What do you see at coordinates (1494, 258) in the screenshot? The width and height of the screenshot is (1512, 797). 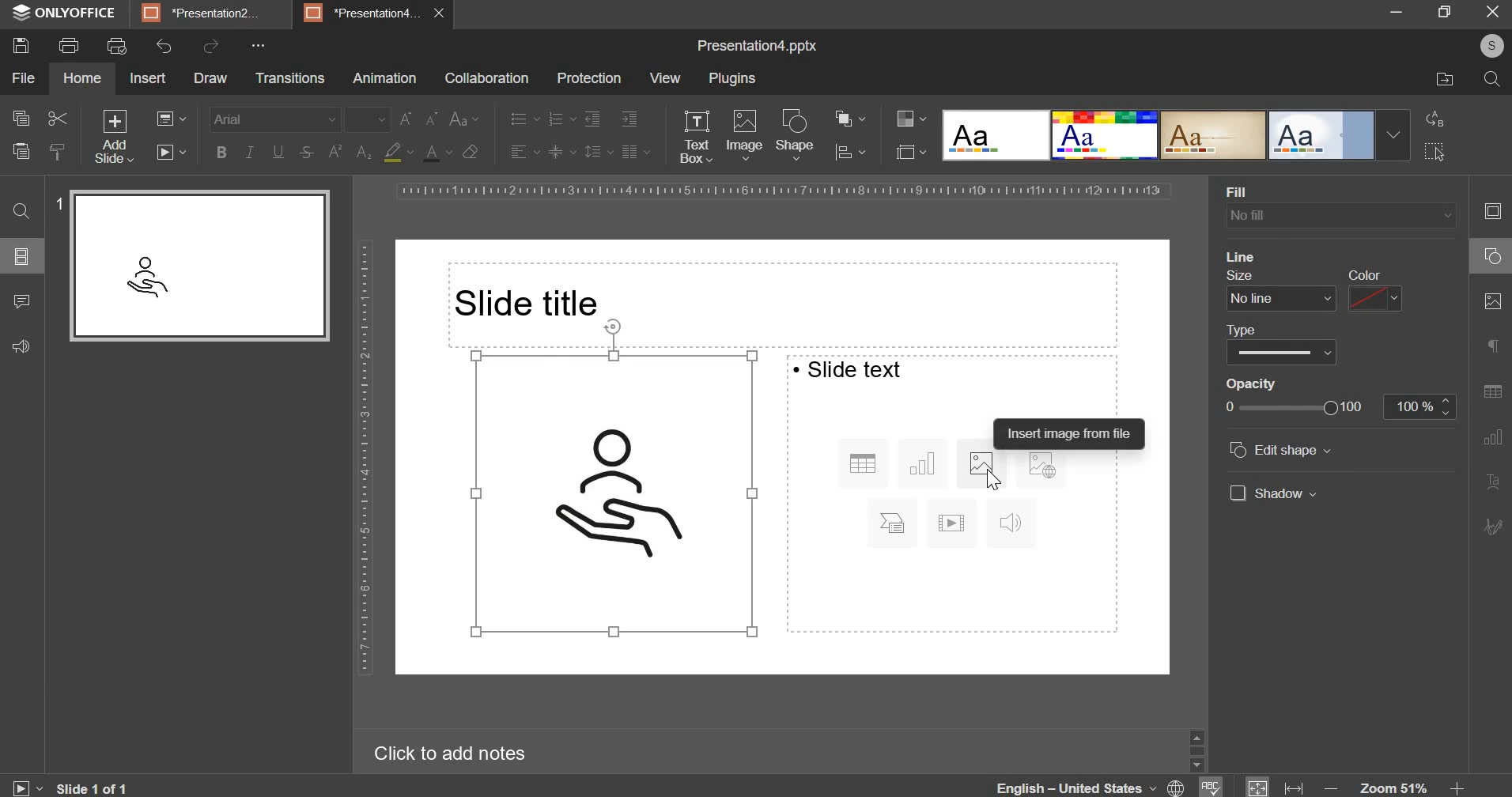 I see `shape setting` at bounding box center [1494, 258].